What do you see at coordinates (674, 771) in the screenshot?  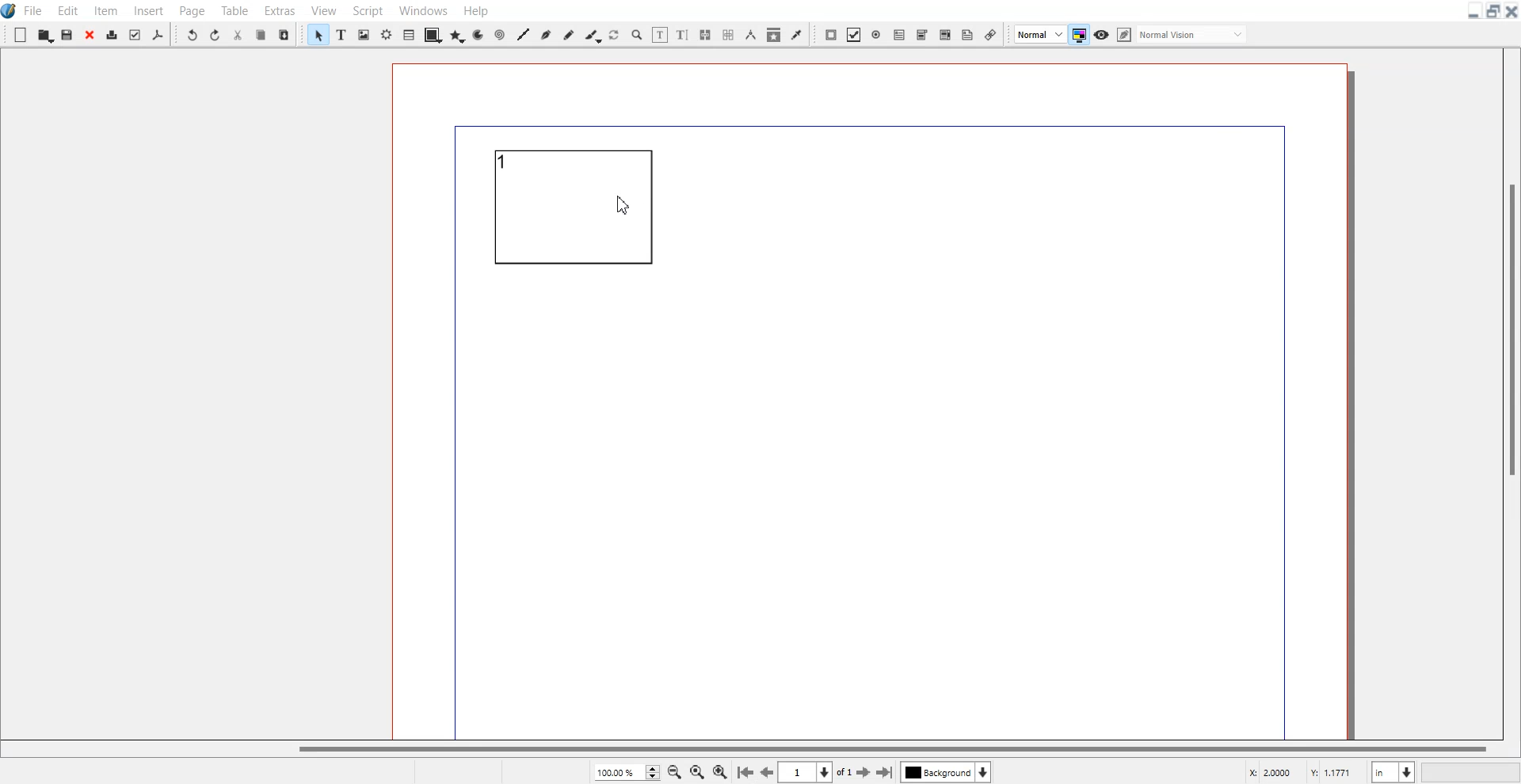 I see `Zoom Out` at bounding box center [674, 771].